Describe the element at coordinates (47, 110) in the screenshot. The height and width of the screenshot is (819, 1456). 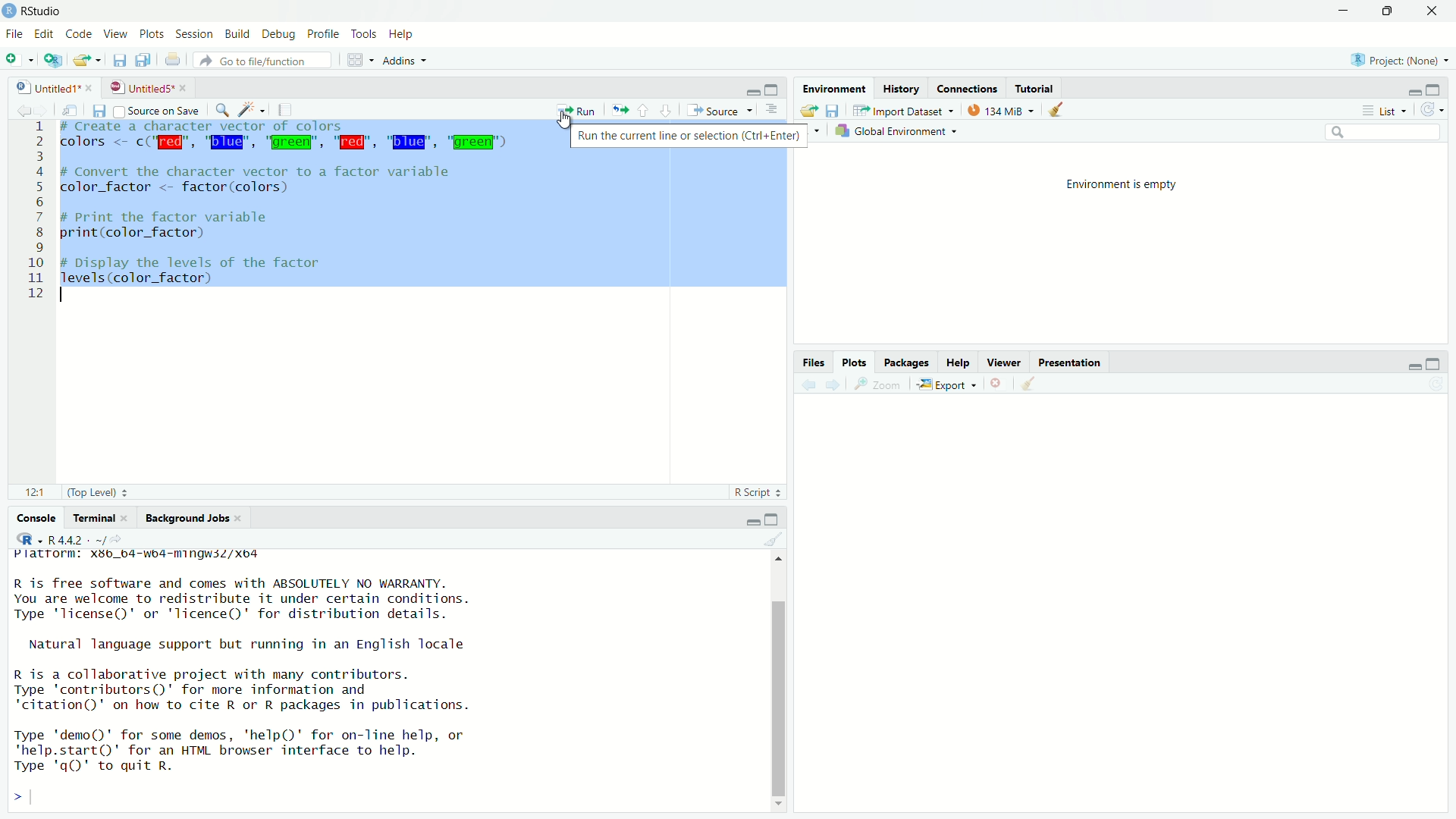
I see `go forward to the next source location` at that location.